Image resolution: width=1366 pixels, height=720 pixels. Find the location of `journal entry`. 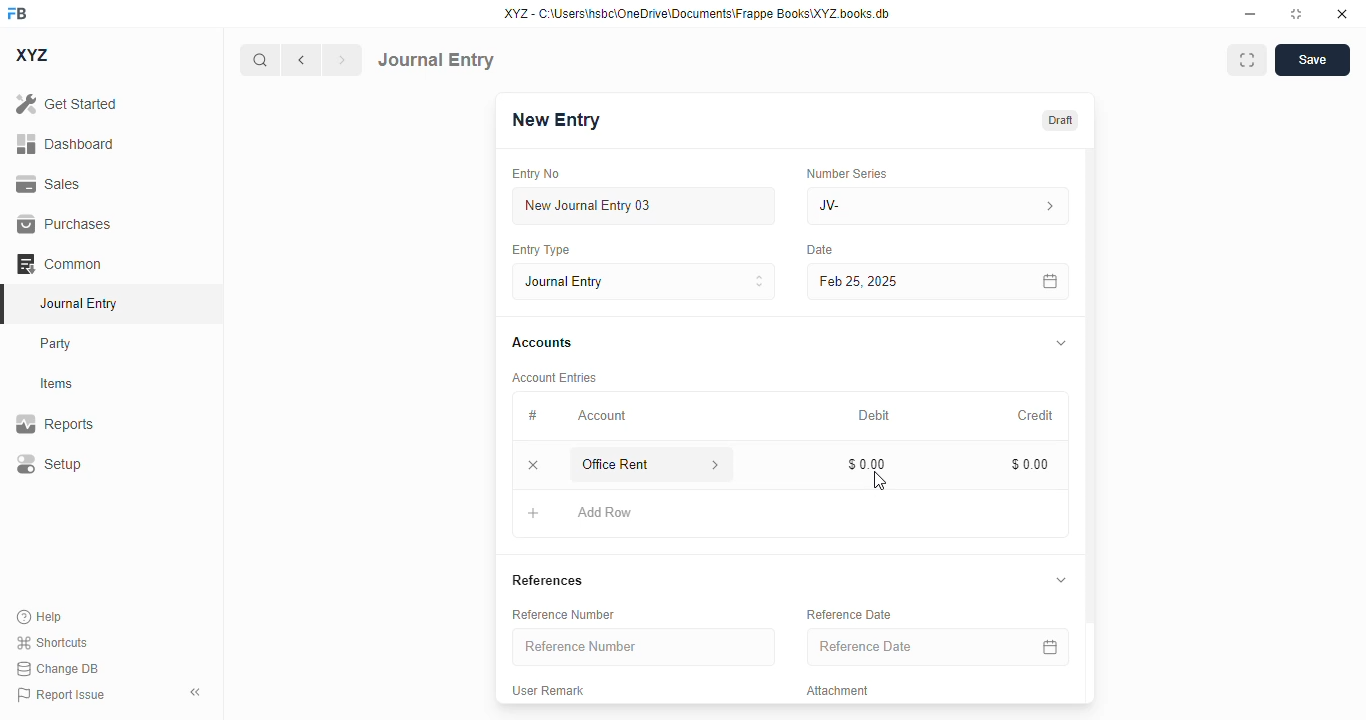

journal entry is located at coordinates (436, 60).